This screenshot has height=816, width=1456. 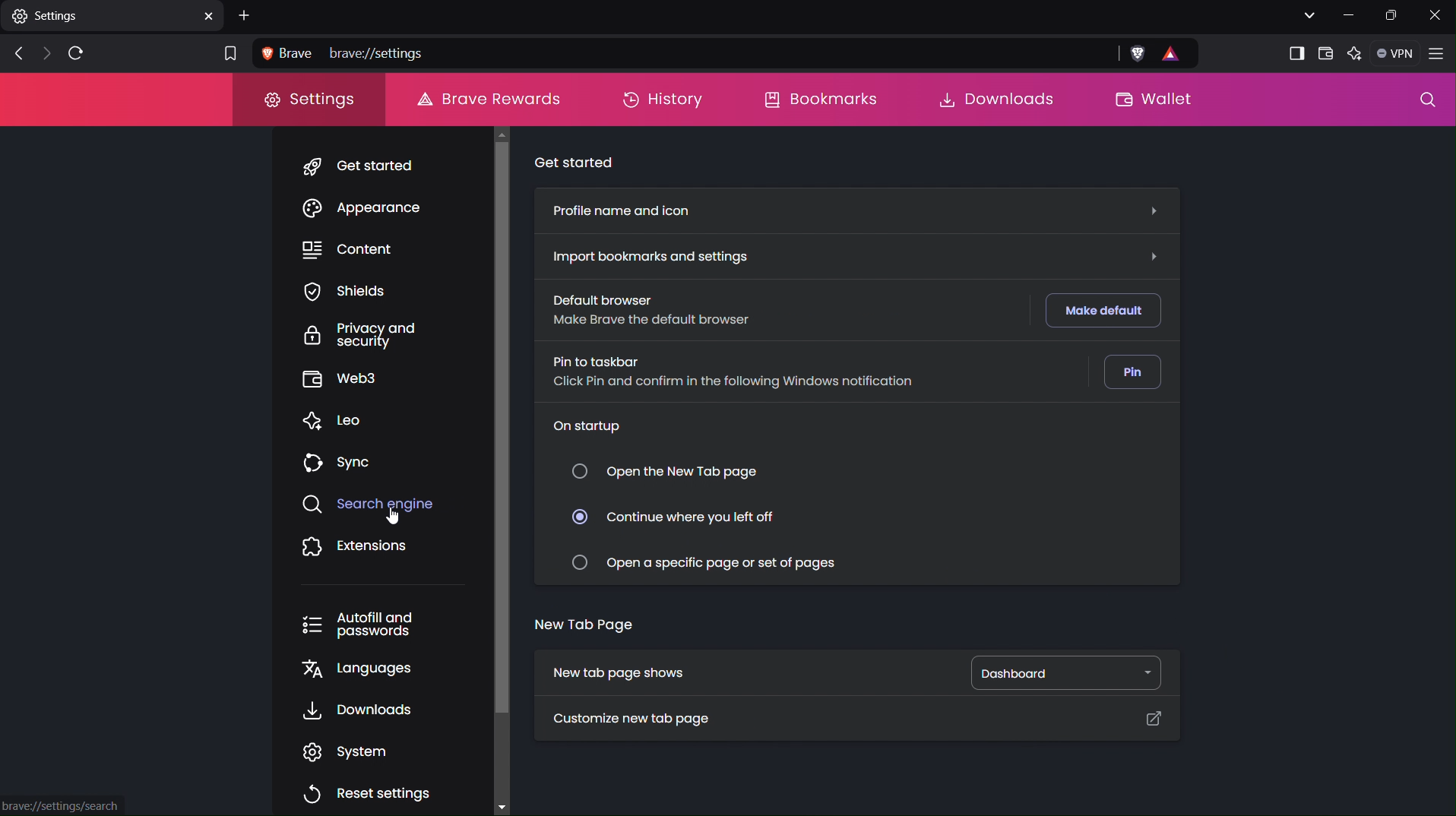 What do you see at coordinates (43, 55) in the screenshot?
I see `Next` at bounding box center [43, 55].